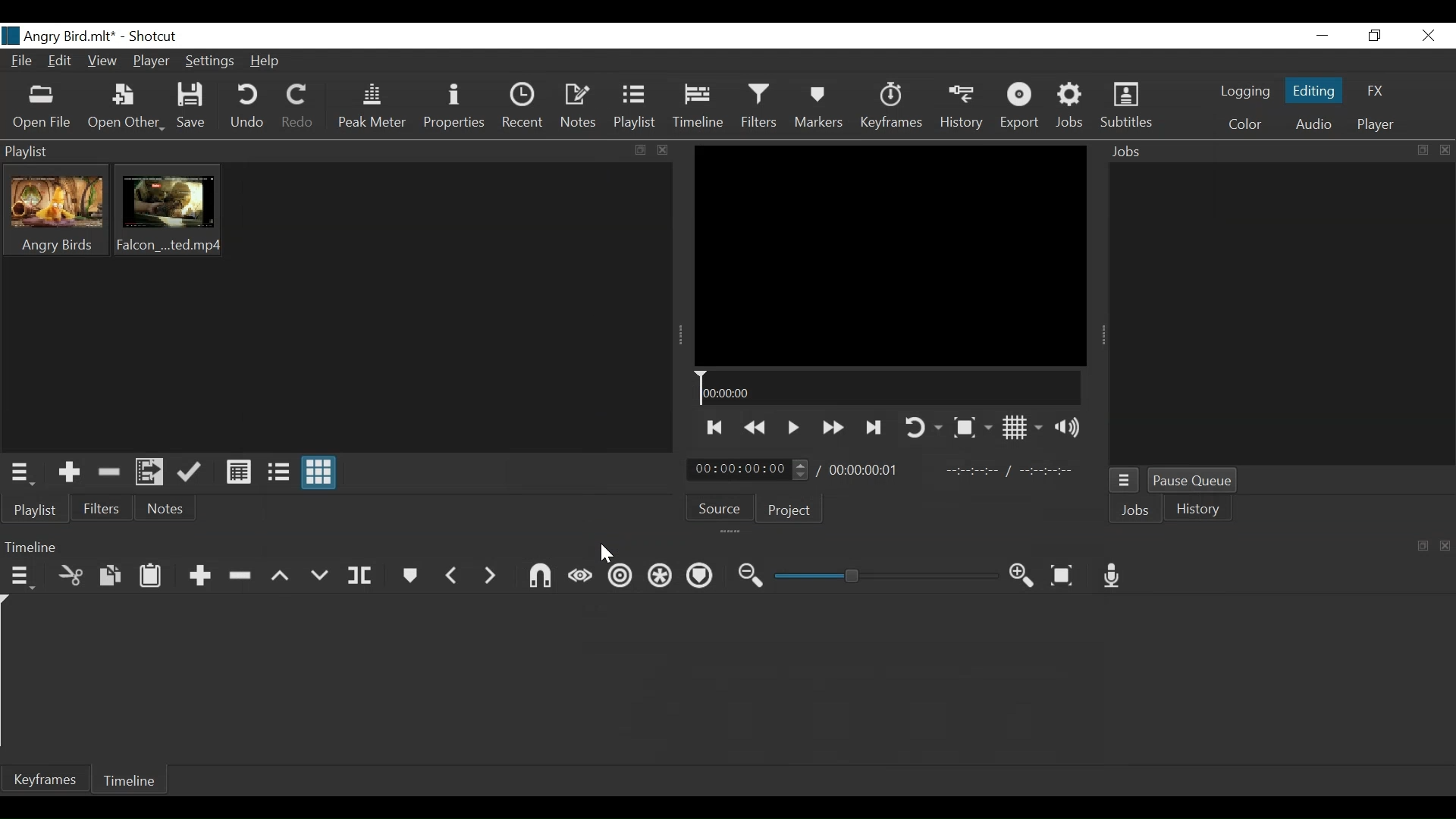 This screenshot has height=819, width=1456. What do you see at coordinates (61, 61) in the screenshot?
I see `Edit` at bounding box center [61, 61].